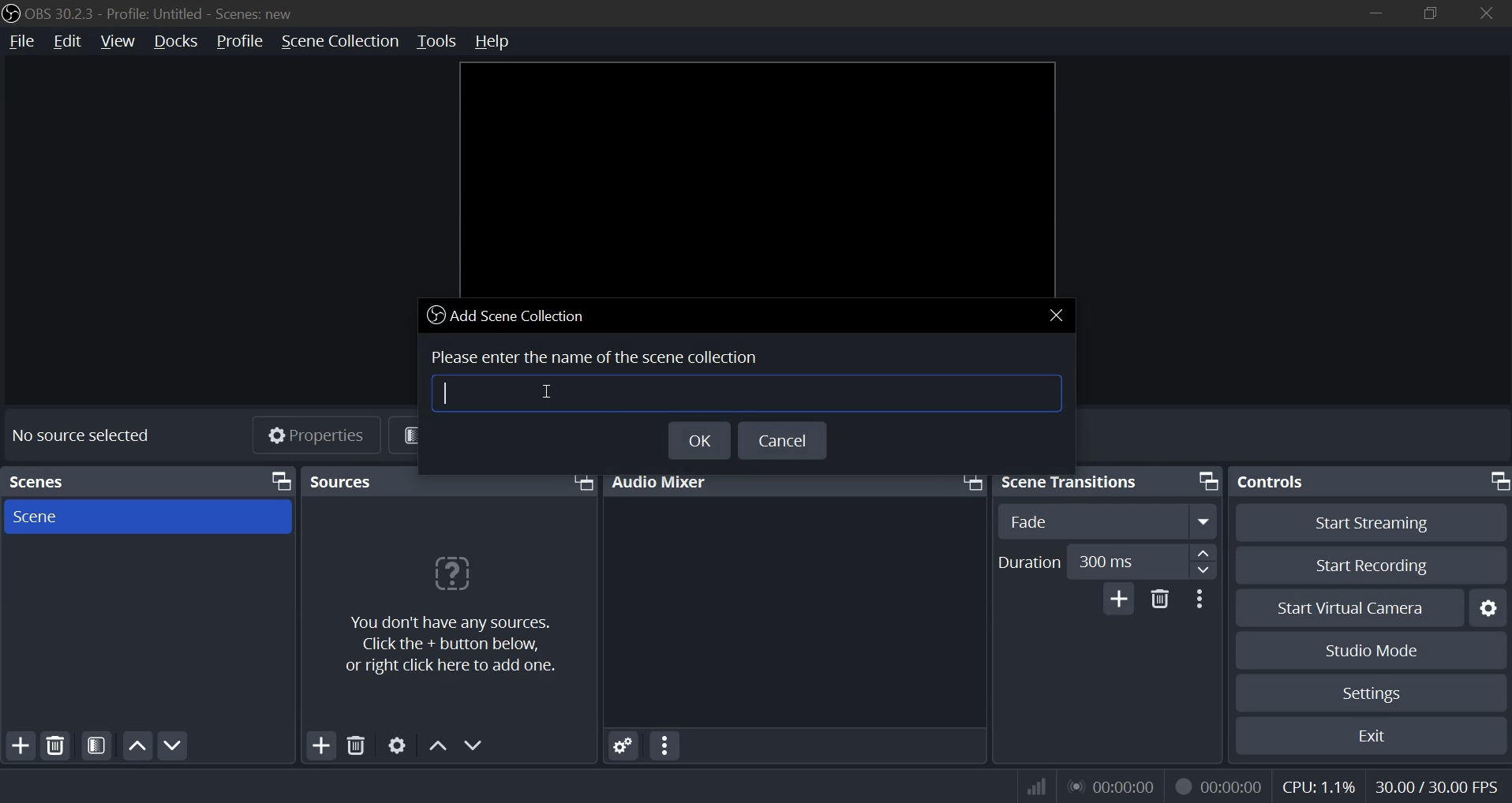 Image resolution: width=1512 pixels, height=803 pixels. Describe the element at coordinates (137, 745) in the screenshot. I see `move up scene` at that location.